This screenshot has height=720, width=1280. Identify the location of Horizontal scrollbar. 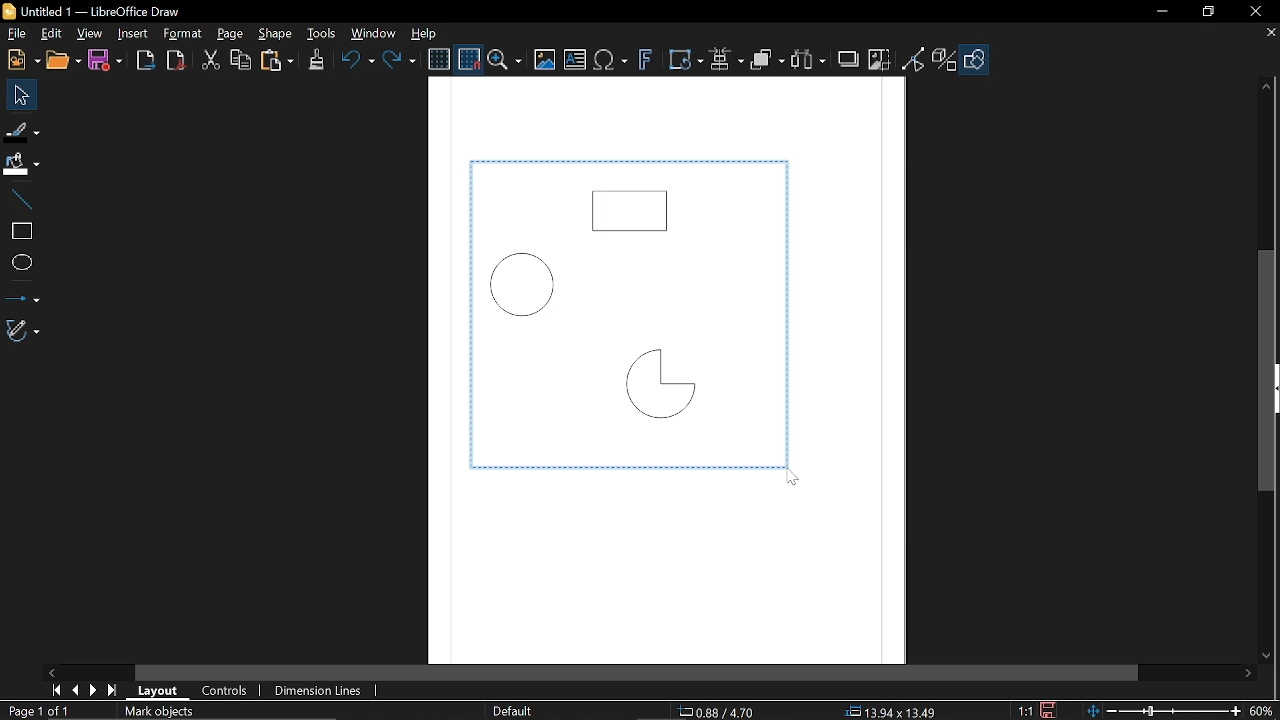
(638, 672).